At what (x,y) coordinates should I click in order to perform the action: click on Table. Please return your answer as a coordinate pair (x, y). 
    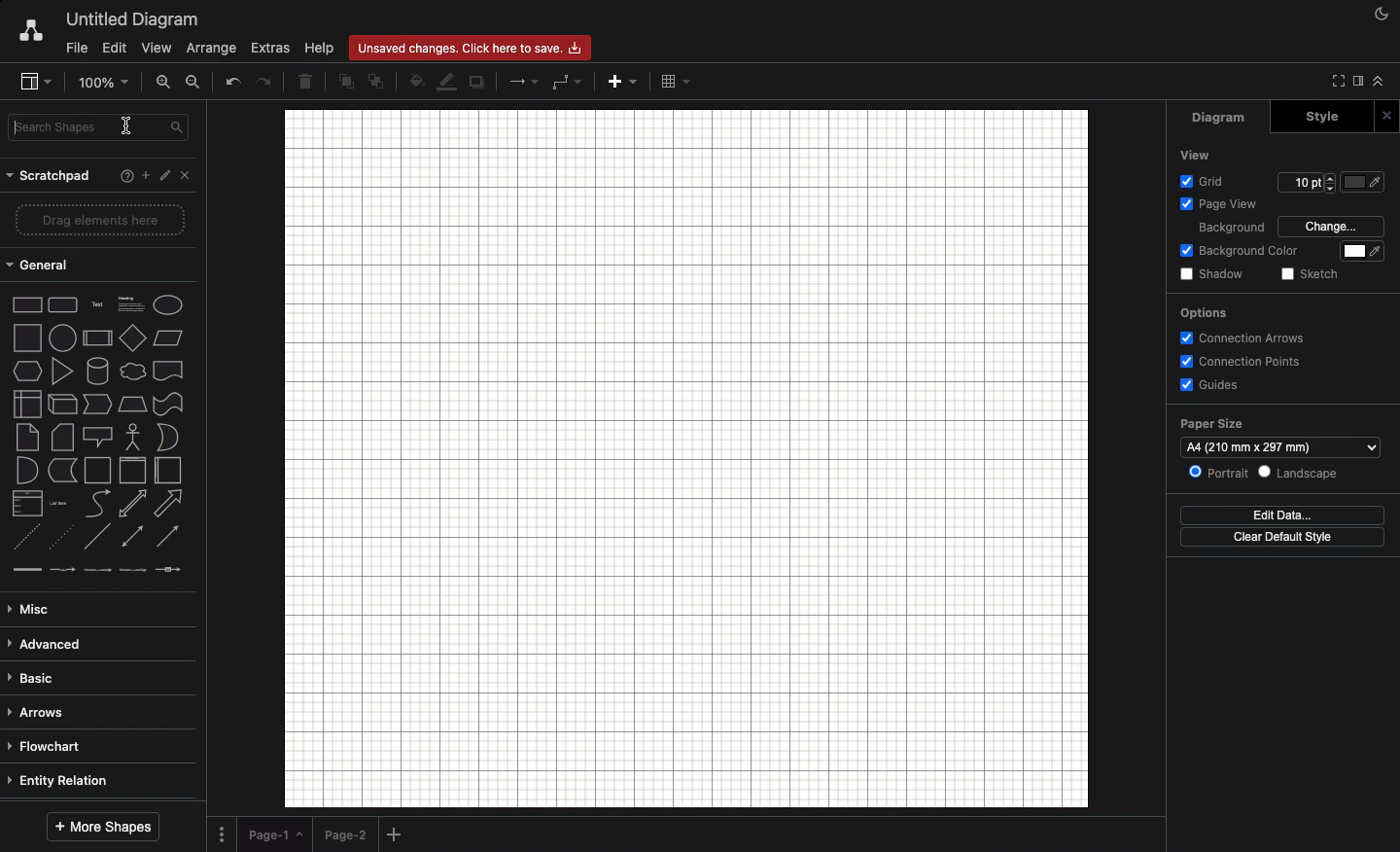
    Looking at the image, I should click on (675, 81).